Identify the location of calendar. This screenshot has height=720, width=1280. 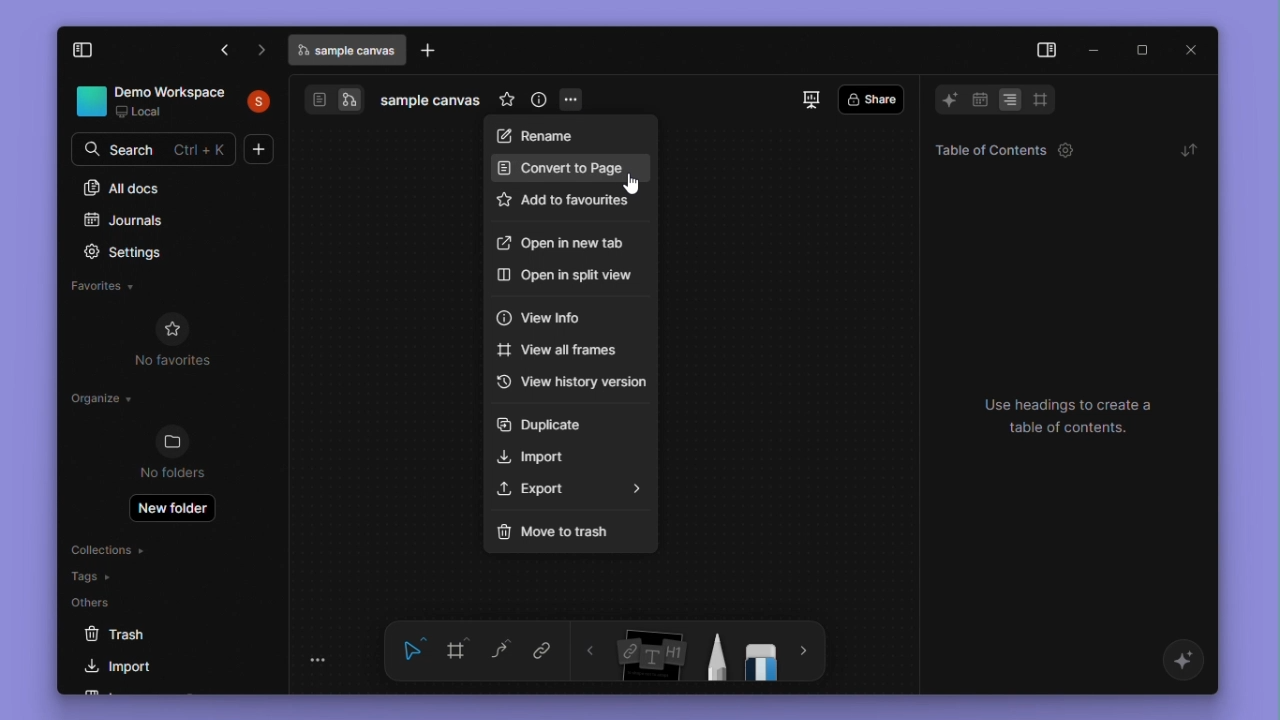
(979, 102).